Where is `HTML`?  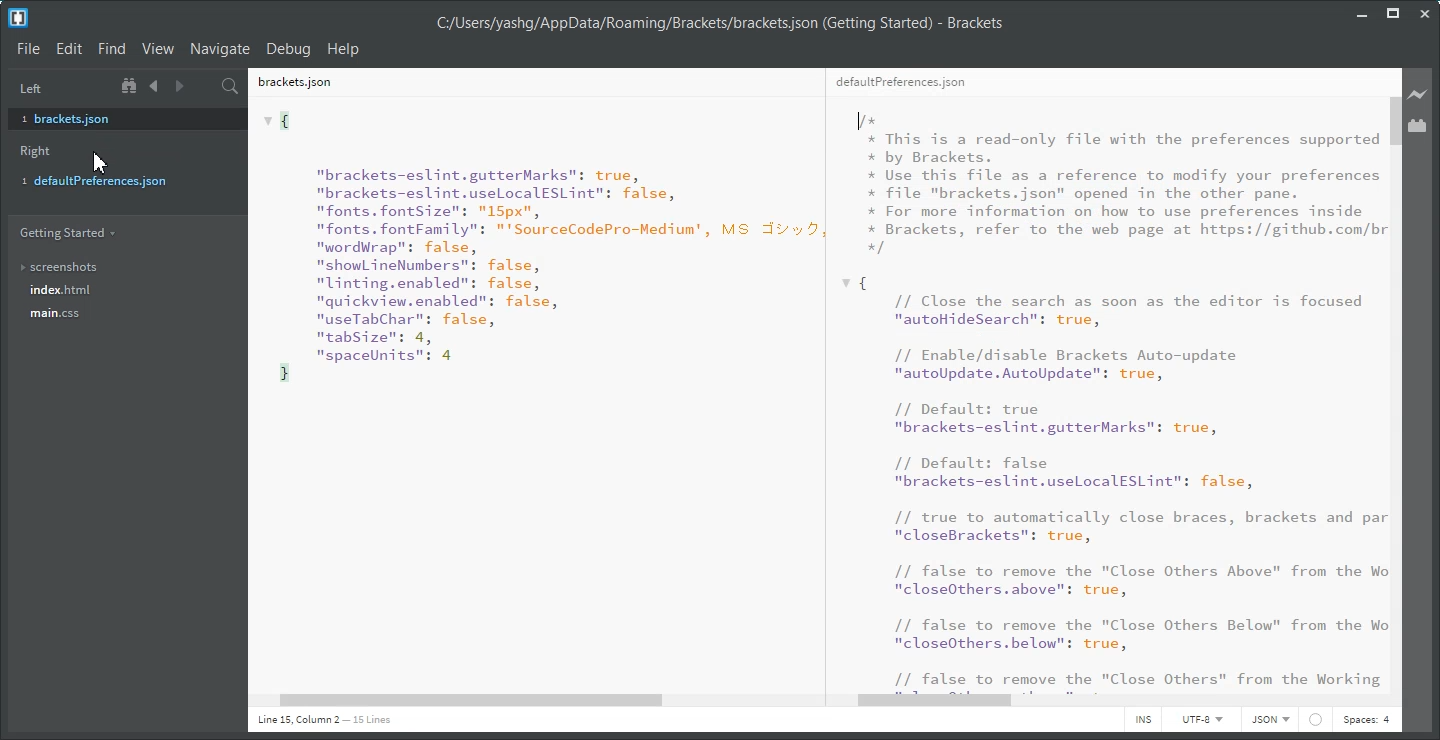 HTML is located at coordinates (1269, 721).